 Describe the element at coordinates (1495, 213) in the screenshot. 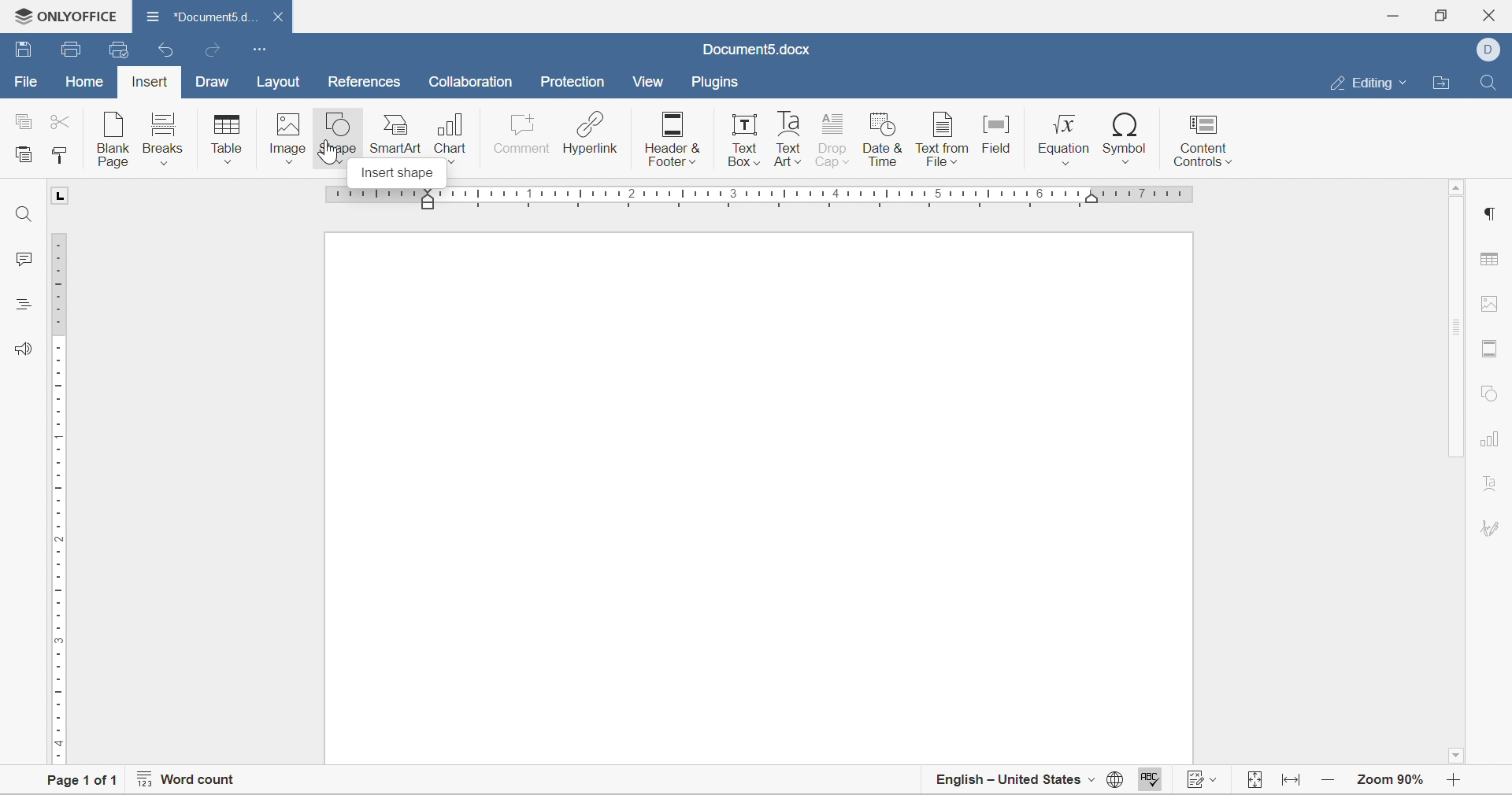

I see `paragraph settings` at that location.